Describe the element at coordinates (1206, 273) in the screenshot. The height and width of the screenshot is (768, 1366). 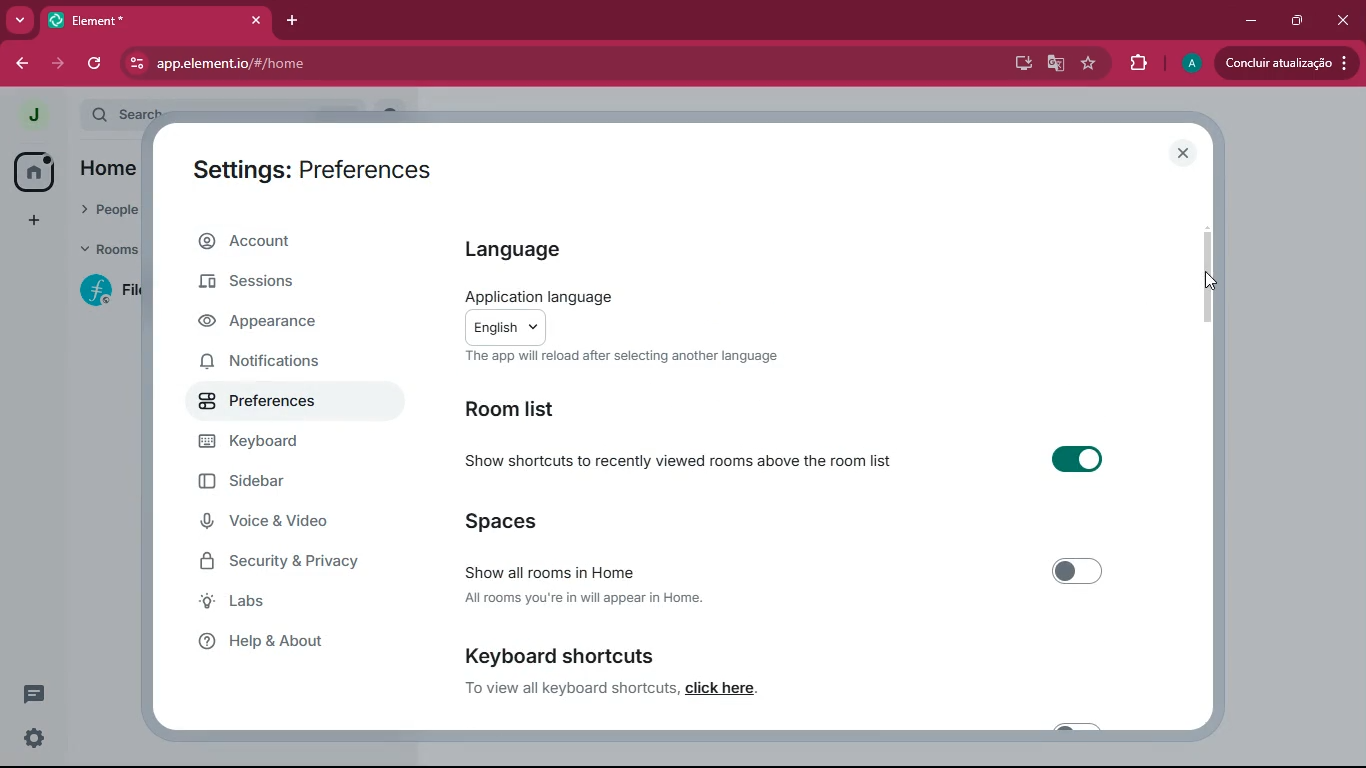
I see `scroll bar` at that location.